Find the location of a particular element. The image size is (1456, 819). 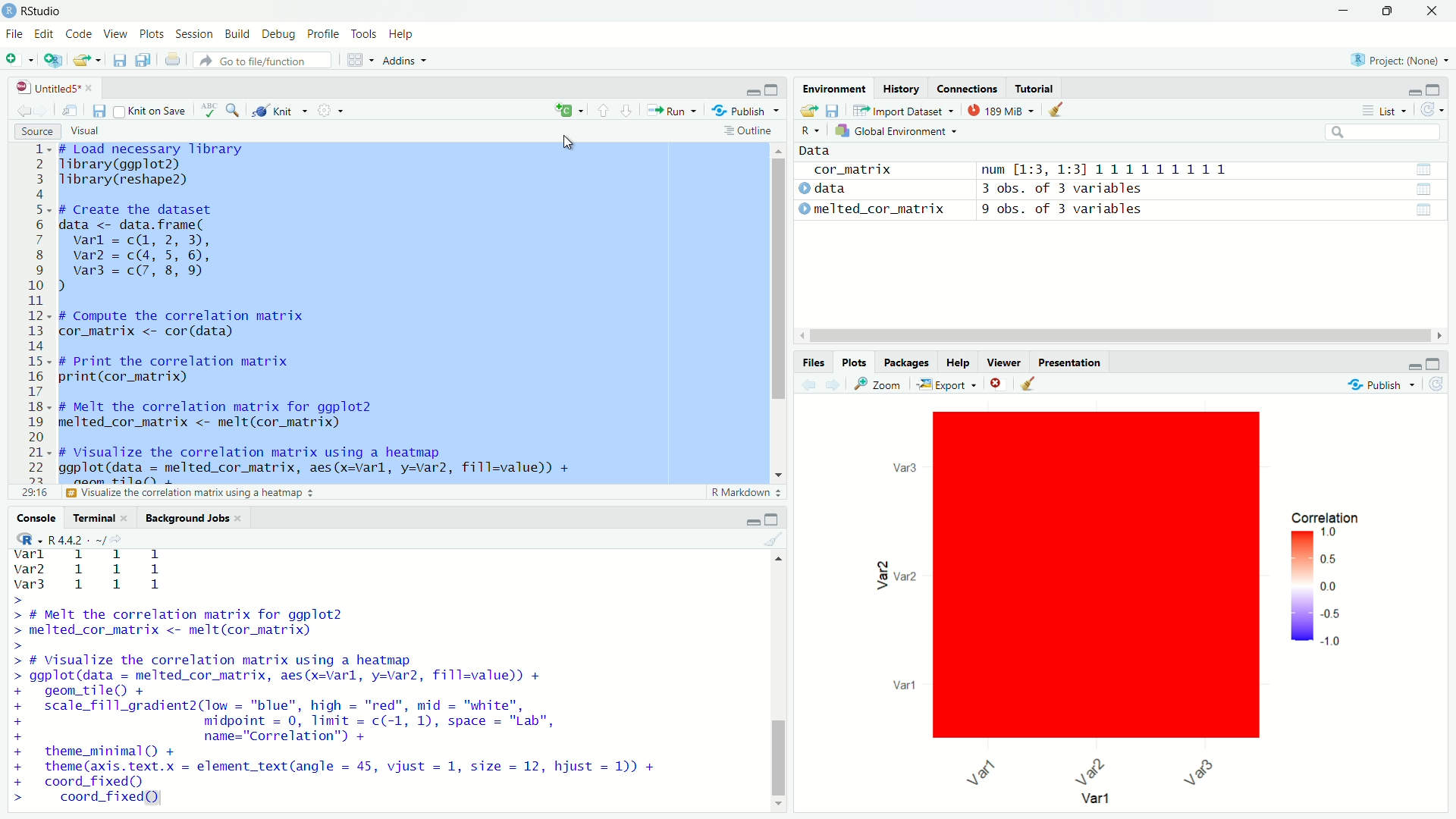

maximize is located at coordinates (1386, 11).